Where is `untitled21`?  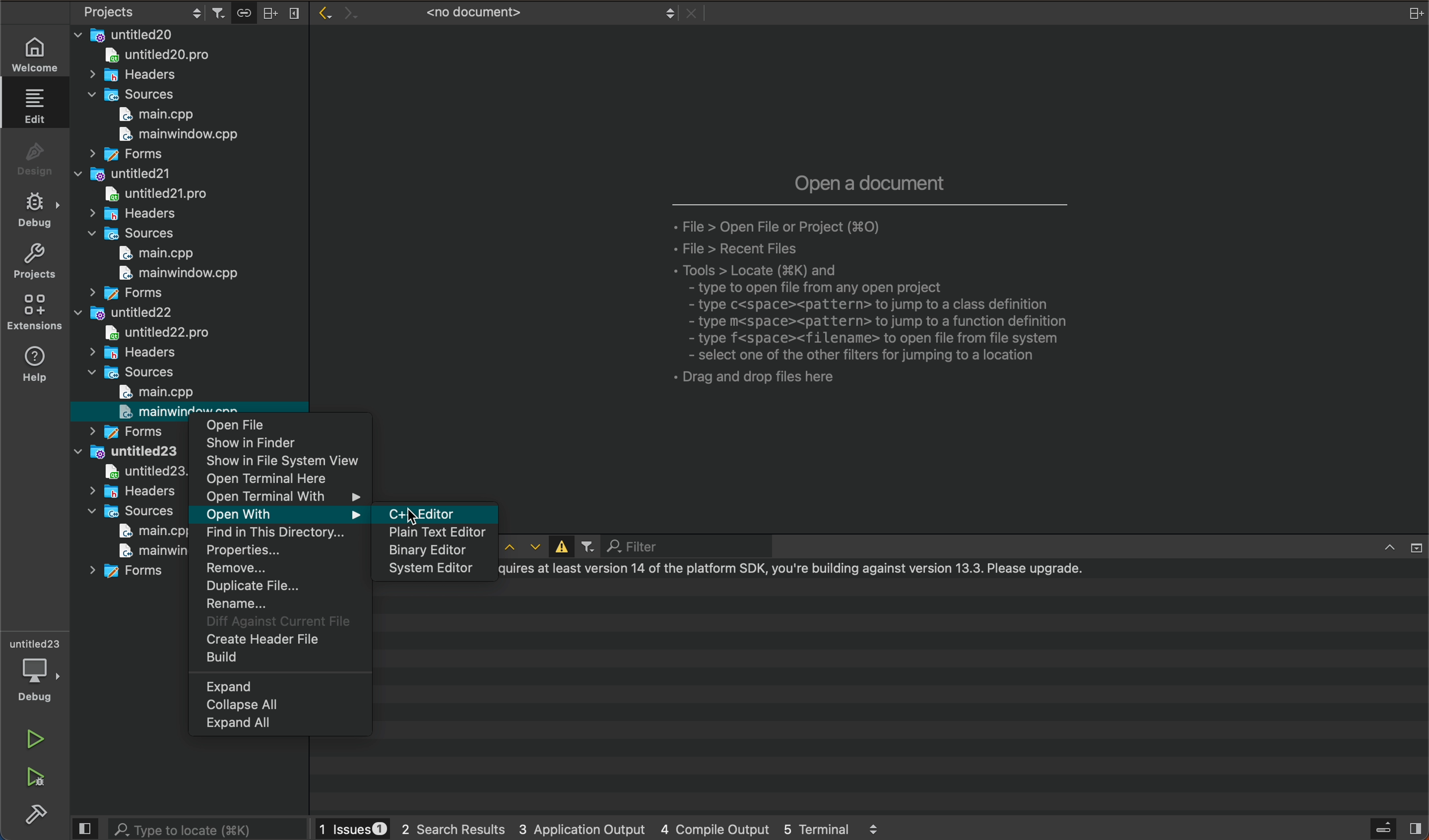
untitled21 is located at coordinates (122, 173).